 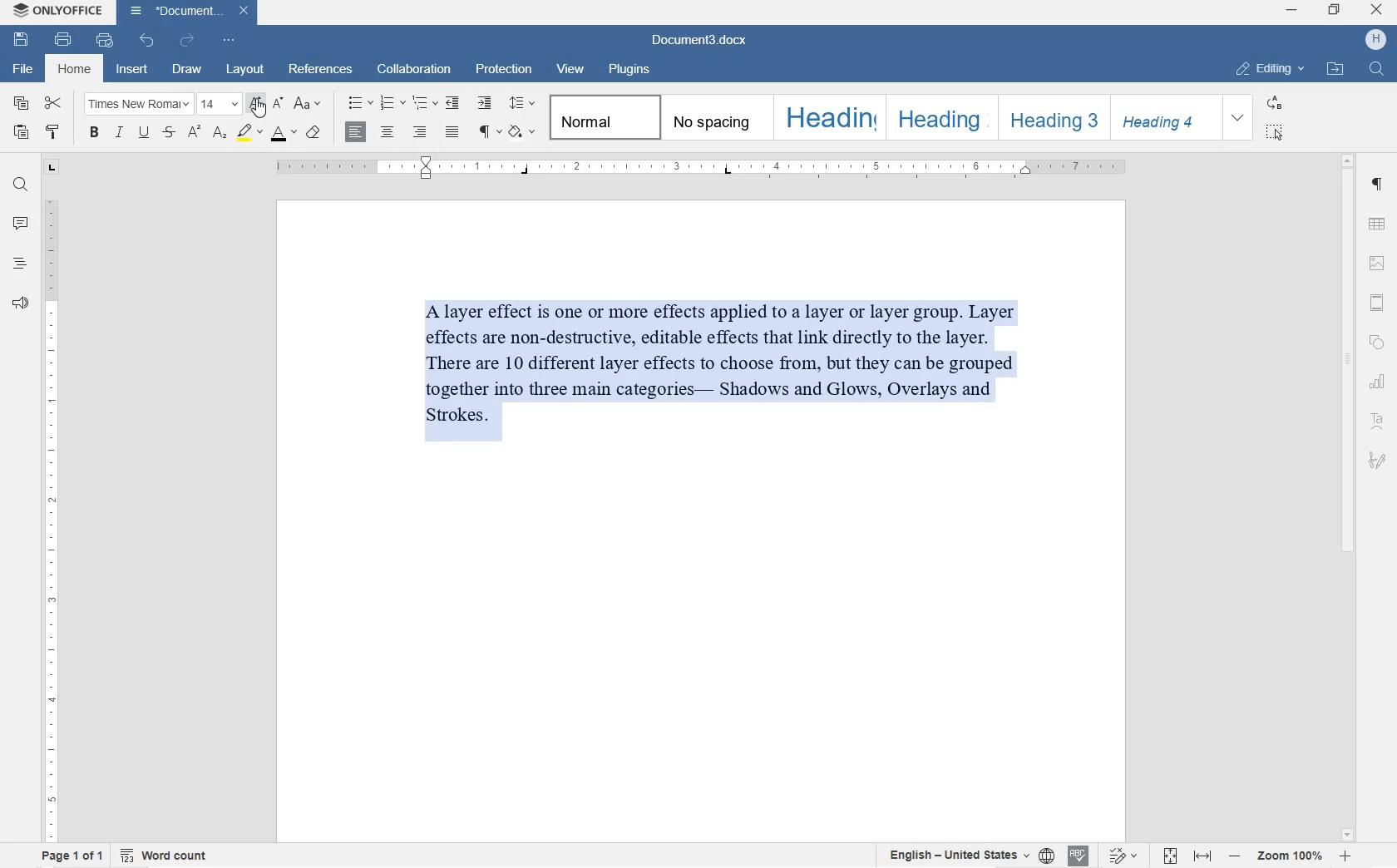 What do you see at coordinates (392, 104) in the screenshot?
I see `numbering` at bounding box center [392, 104].